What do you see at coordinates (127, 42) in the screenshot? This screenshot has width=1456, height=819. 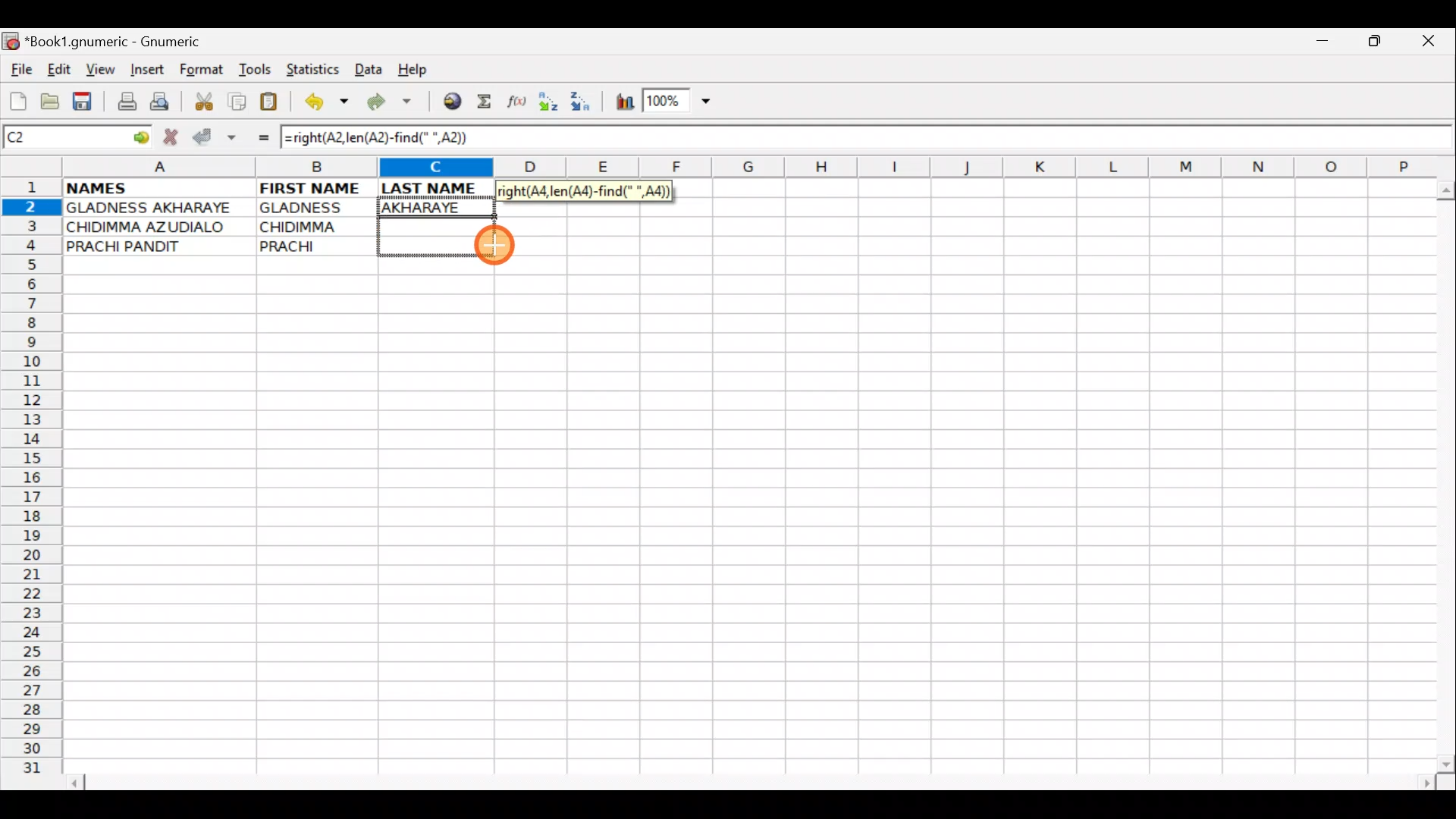 I see `*Book1.gnumeric - Gnumeric` at bounding box center [127, 42].